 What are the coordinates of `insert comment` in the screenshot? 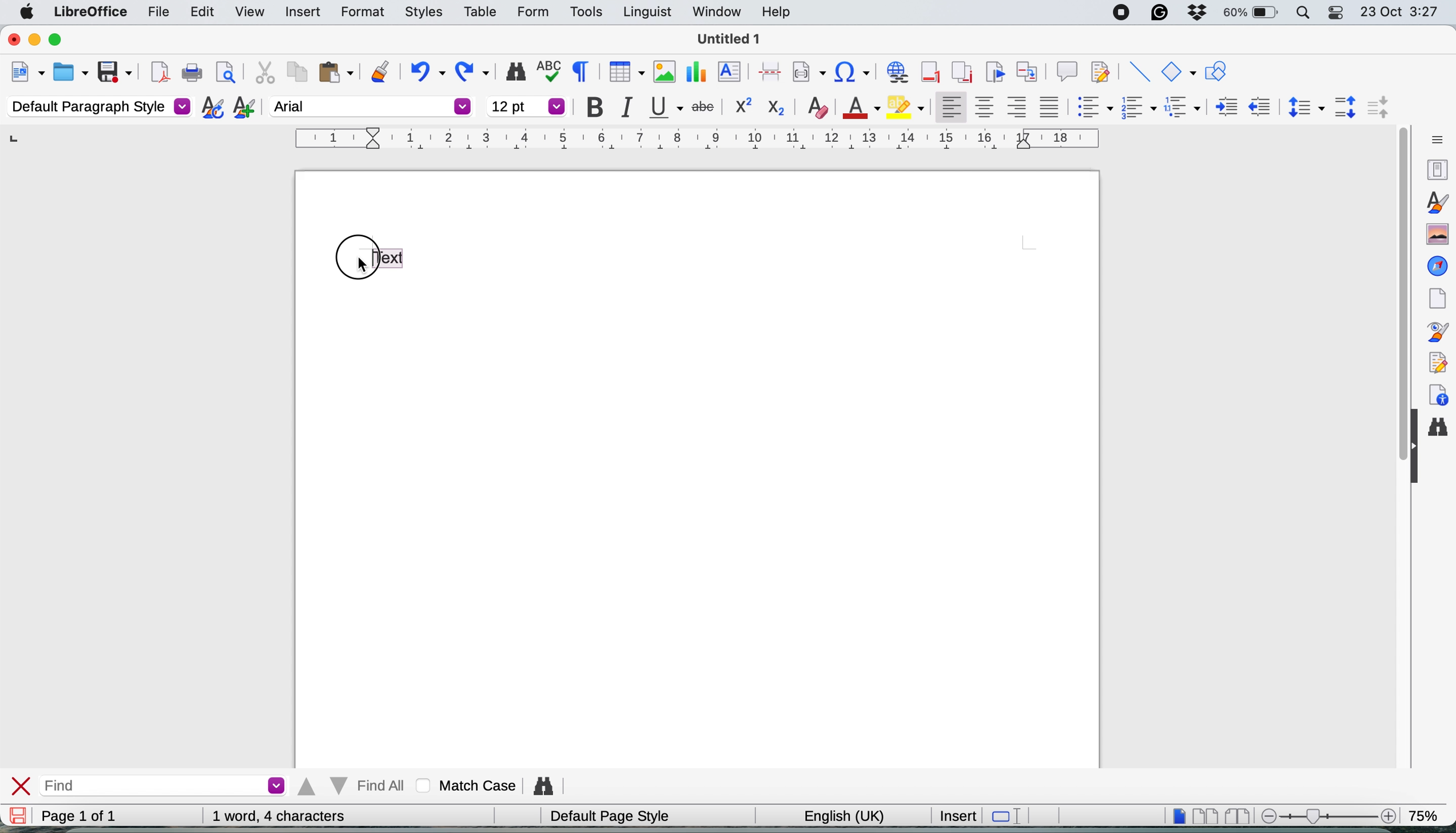 It's located at (1066, 72).